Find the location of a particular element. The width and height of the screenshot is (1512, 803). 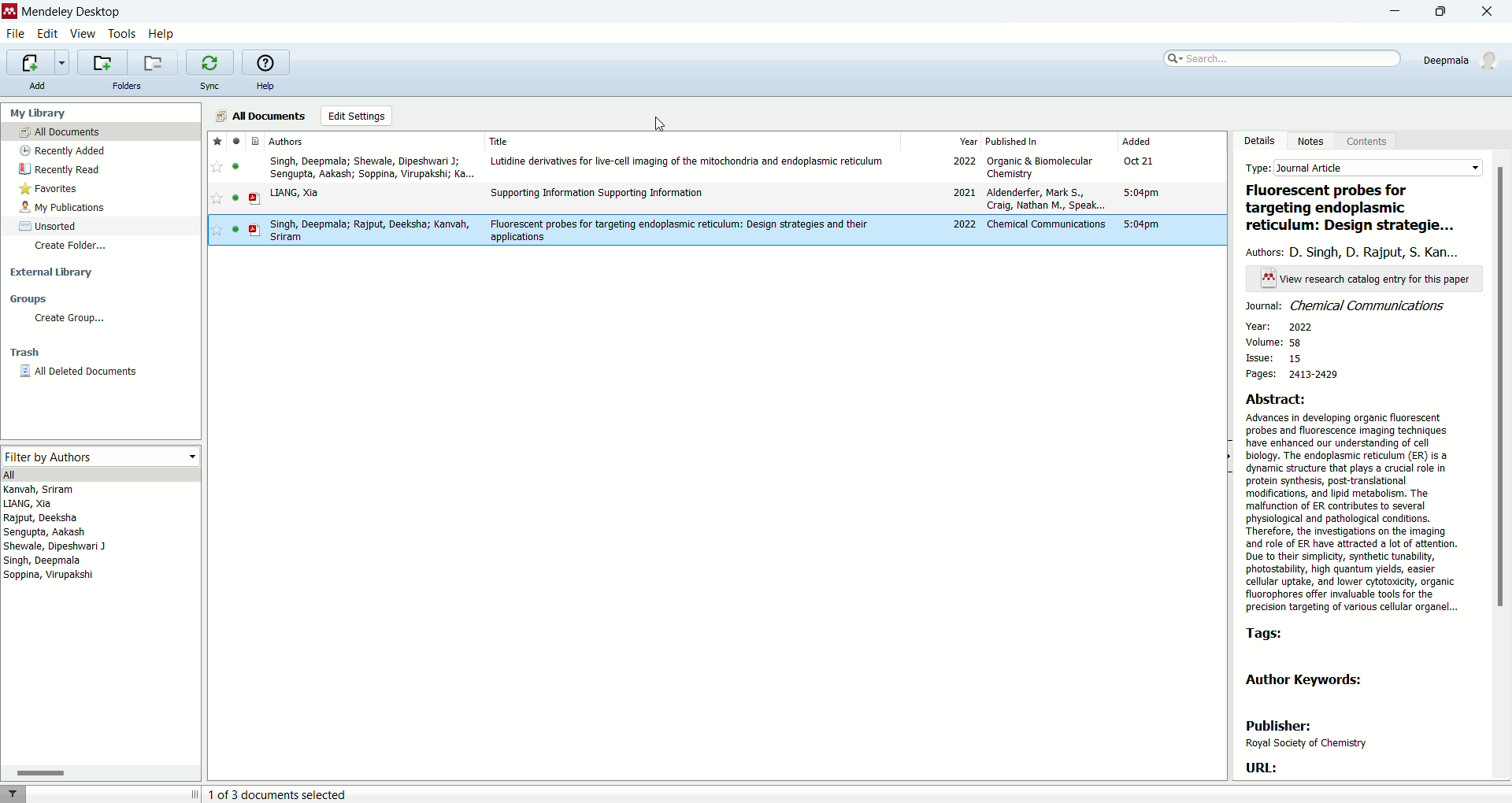

create folder is located at coordinates (72, 250).